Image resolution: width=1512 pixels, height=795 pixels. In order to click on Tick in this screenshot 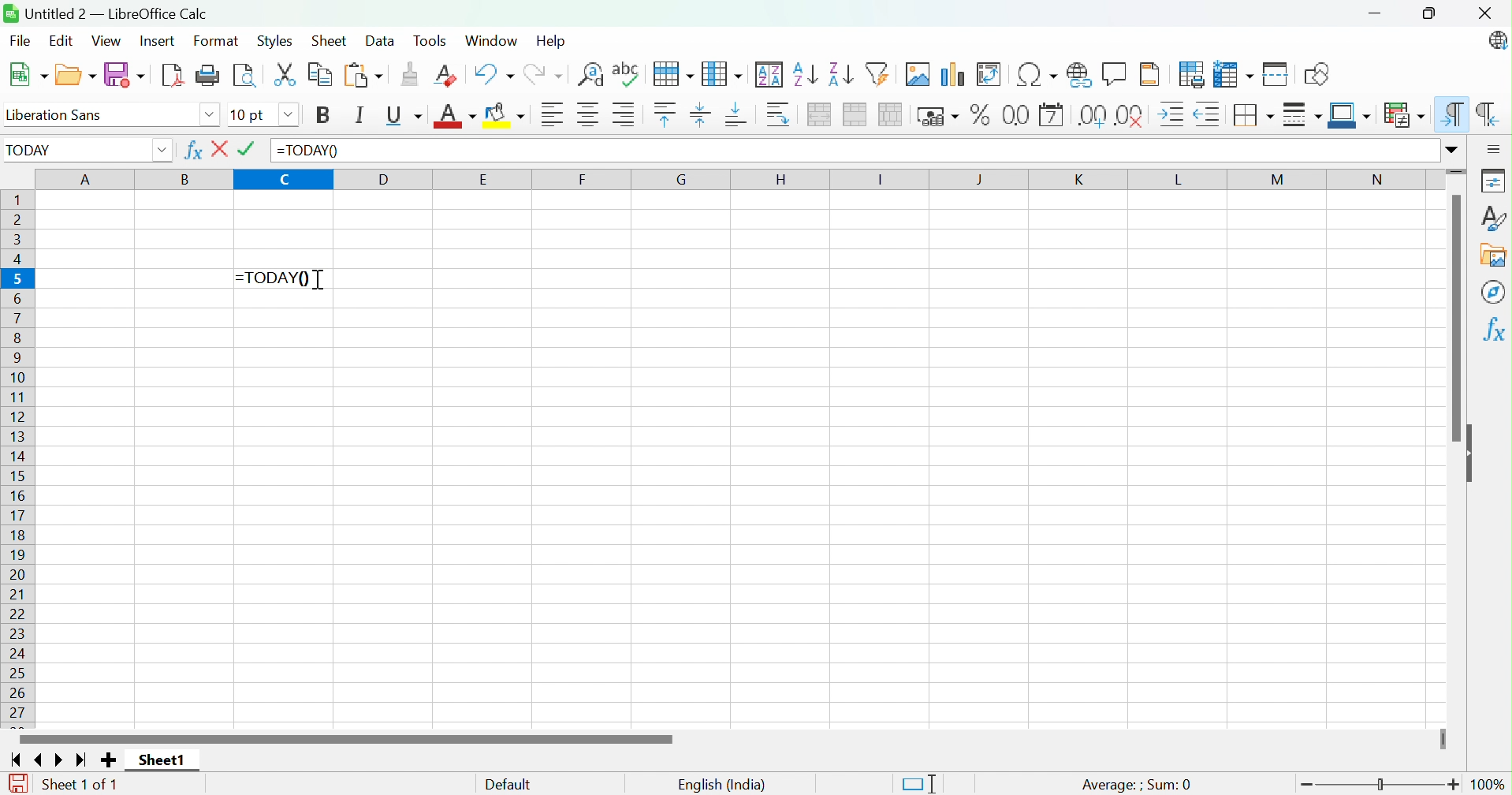, I will do `click(251, 149)`.